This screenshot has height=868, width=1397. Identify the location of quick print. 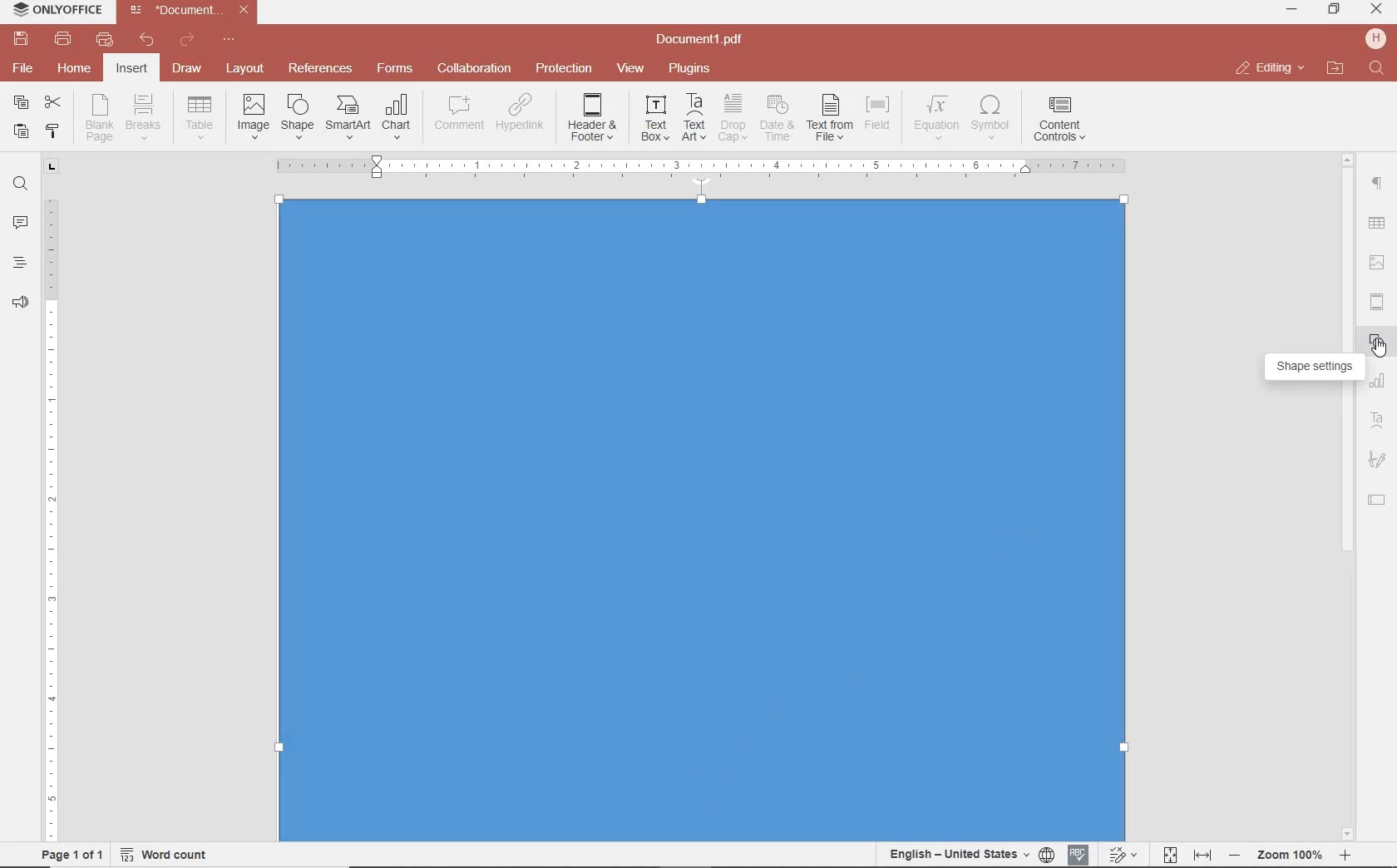
(103, 39).